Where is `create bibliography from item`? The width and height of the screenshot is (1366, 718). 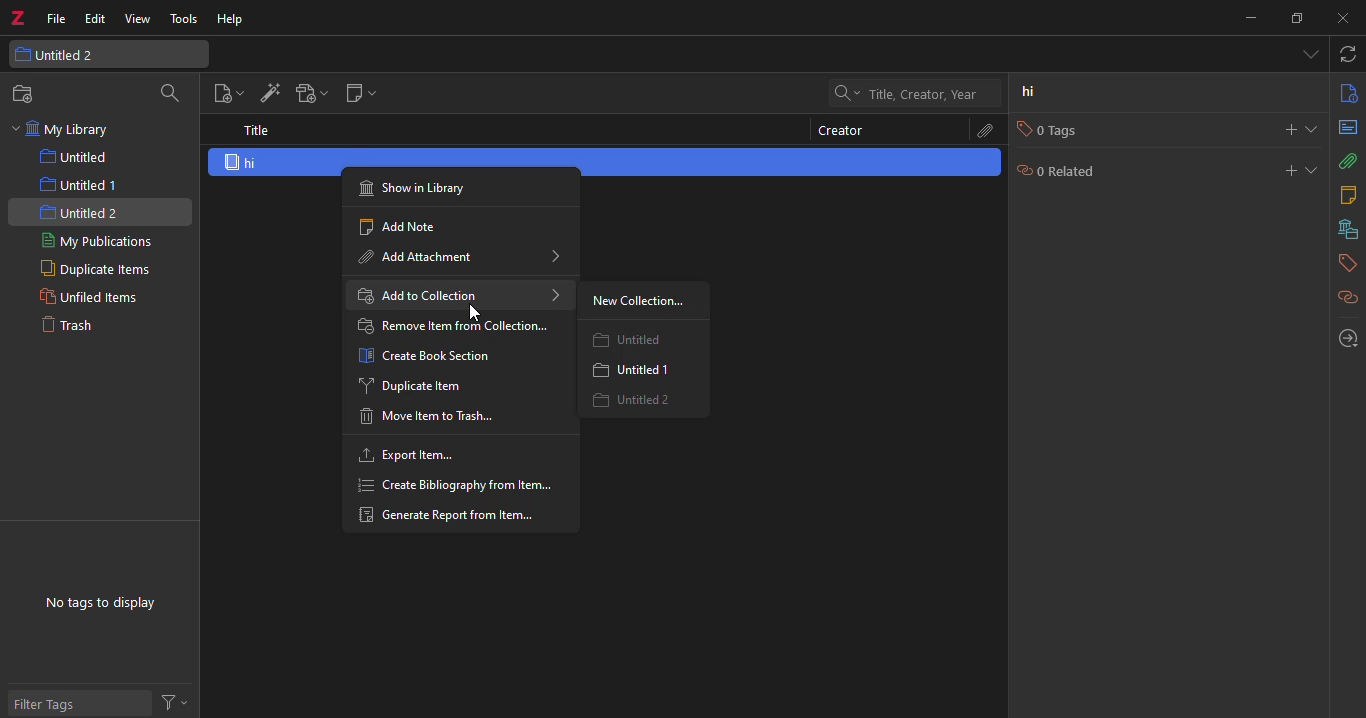
create bibliography from item is located at coordinates (450, 485).